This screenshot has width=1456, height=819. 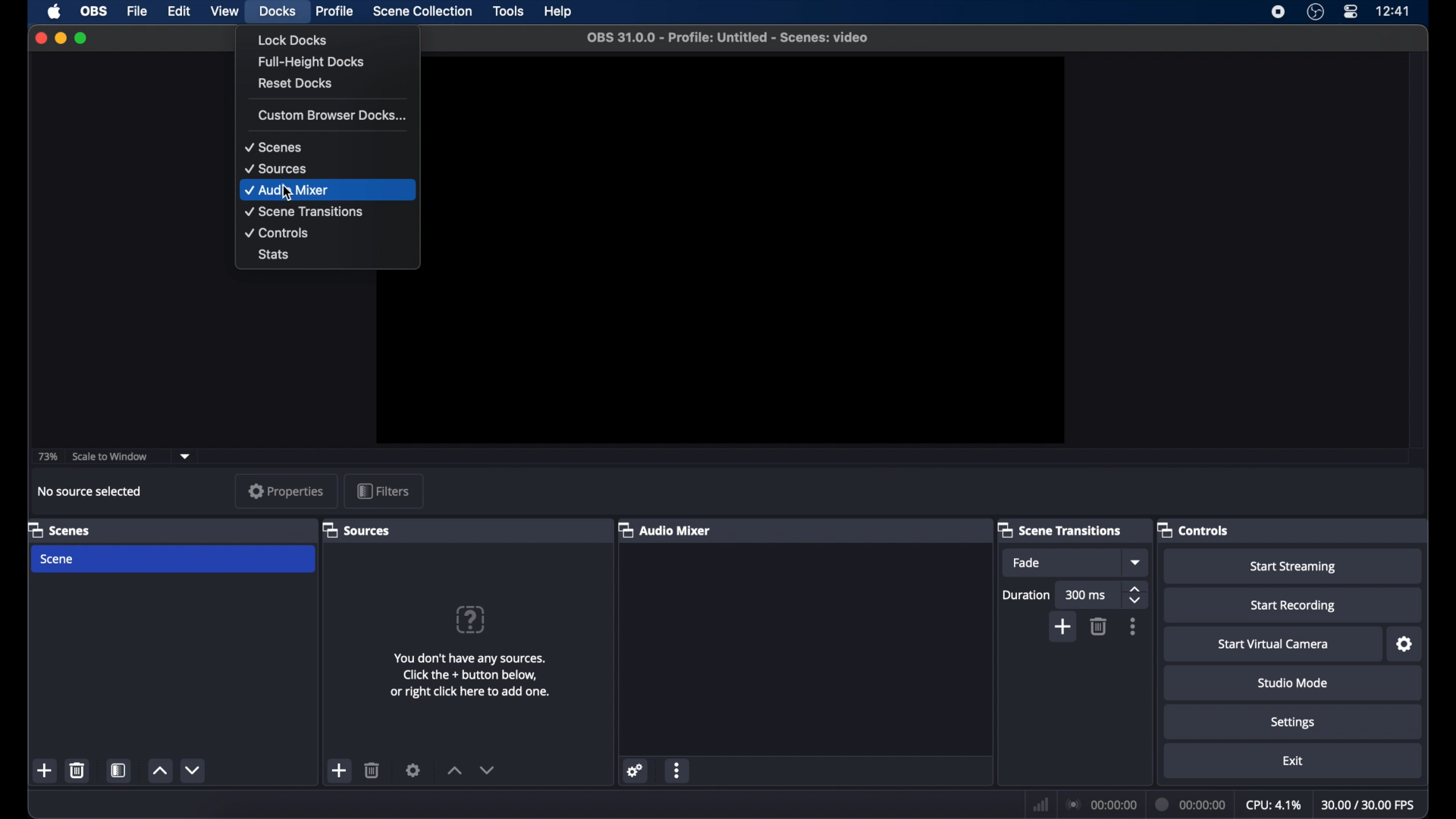 I want to click on scale to window, so click(x=111, y=456).